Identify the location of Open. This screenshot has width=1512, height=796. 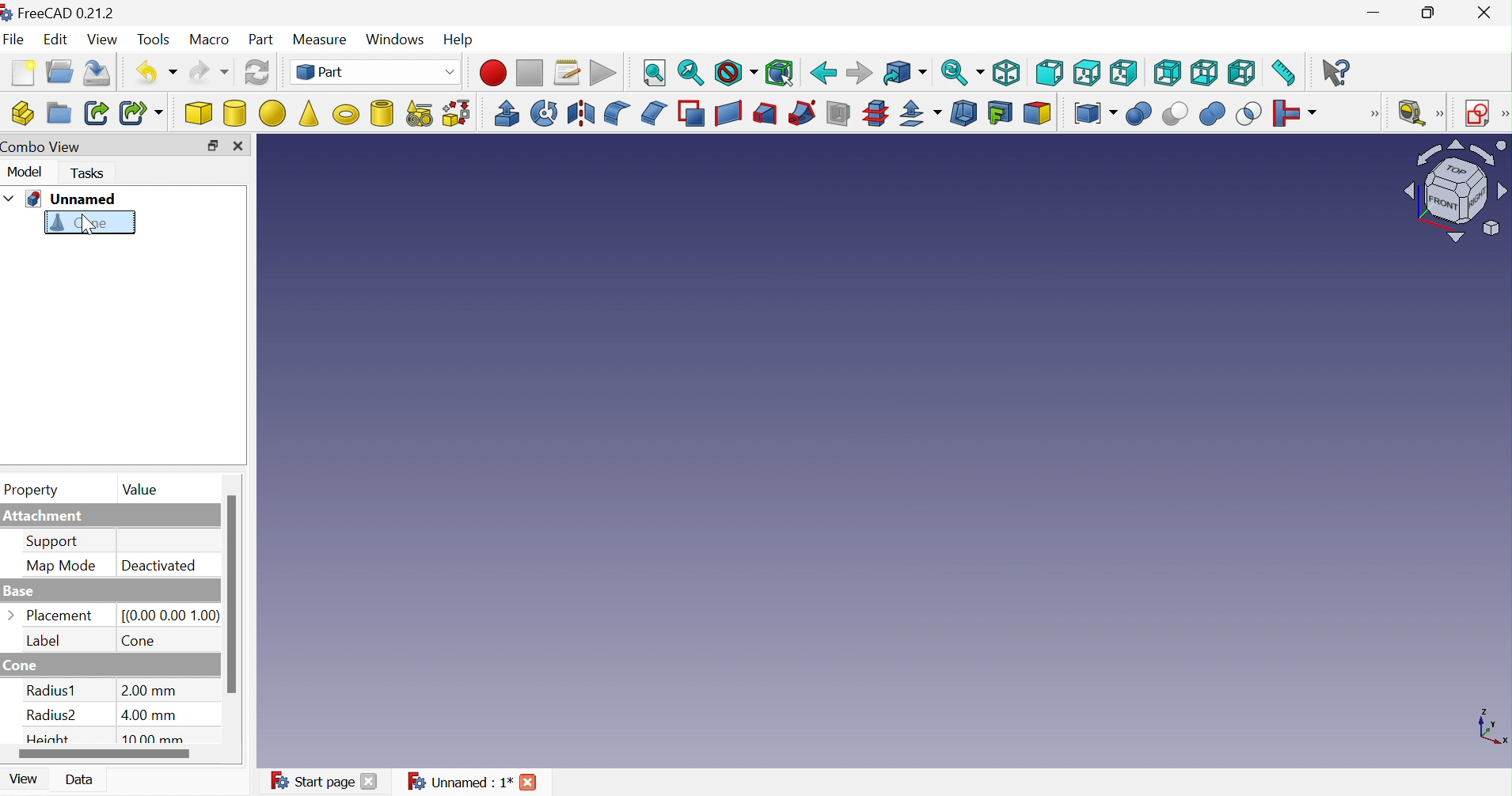
(59, 72).